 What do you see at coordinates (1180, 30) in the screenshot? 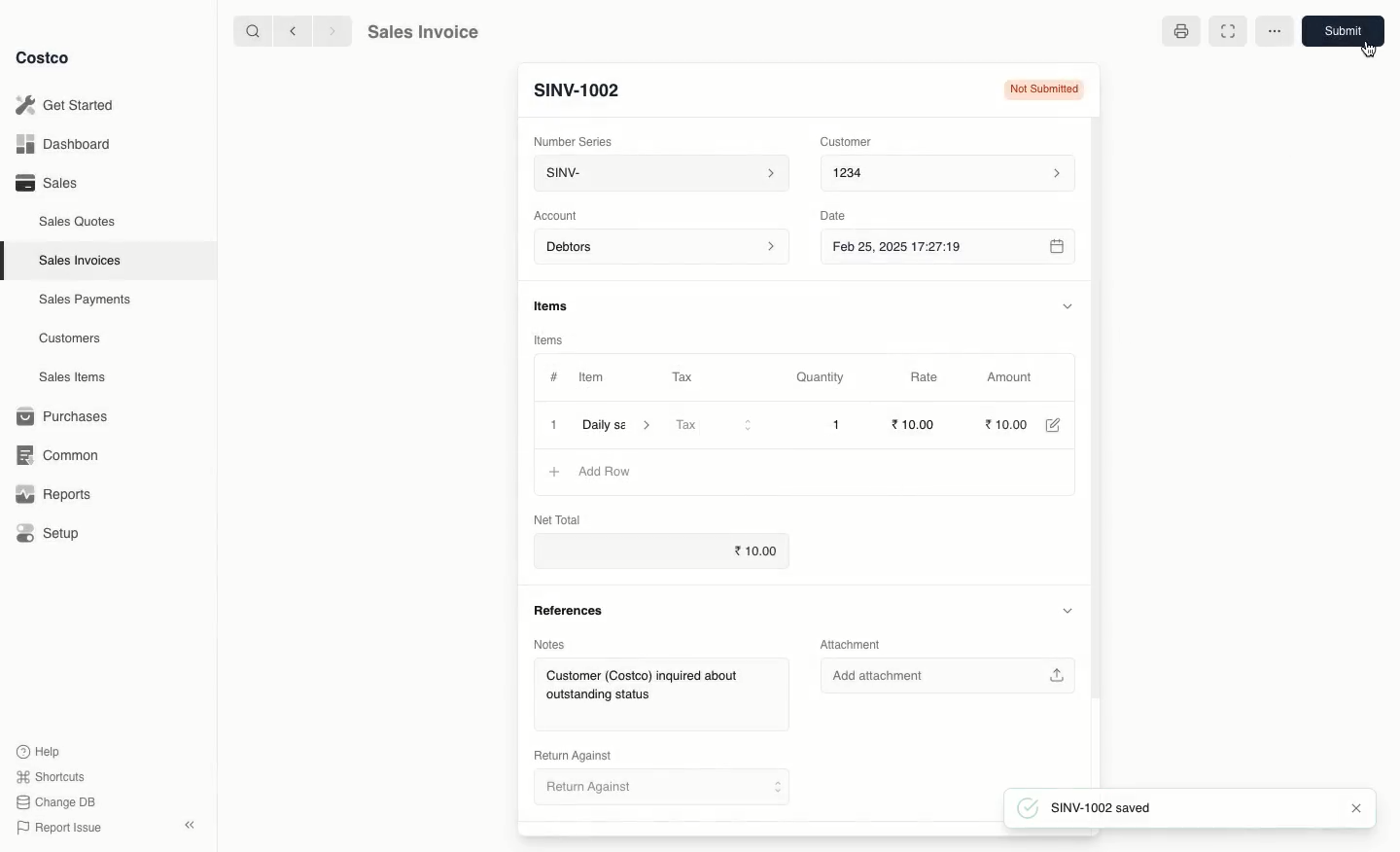
I see `Print` at bounding box center [1180, 30].